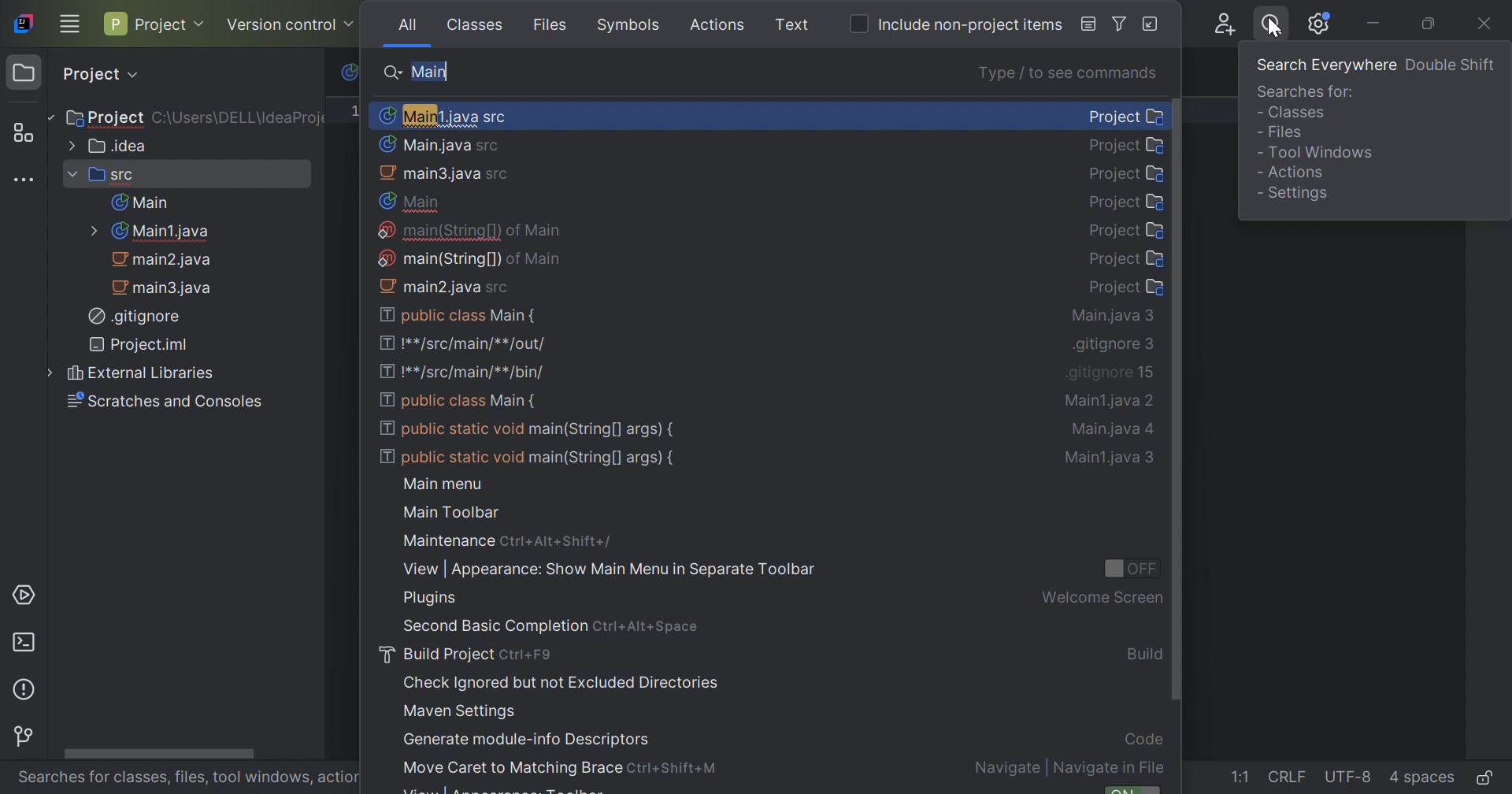  I want to click on 4 spaces, so click(1421, 778).